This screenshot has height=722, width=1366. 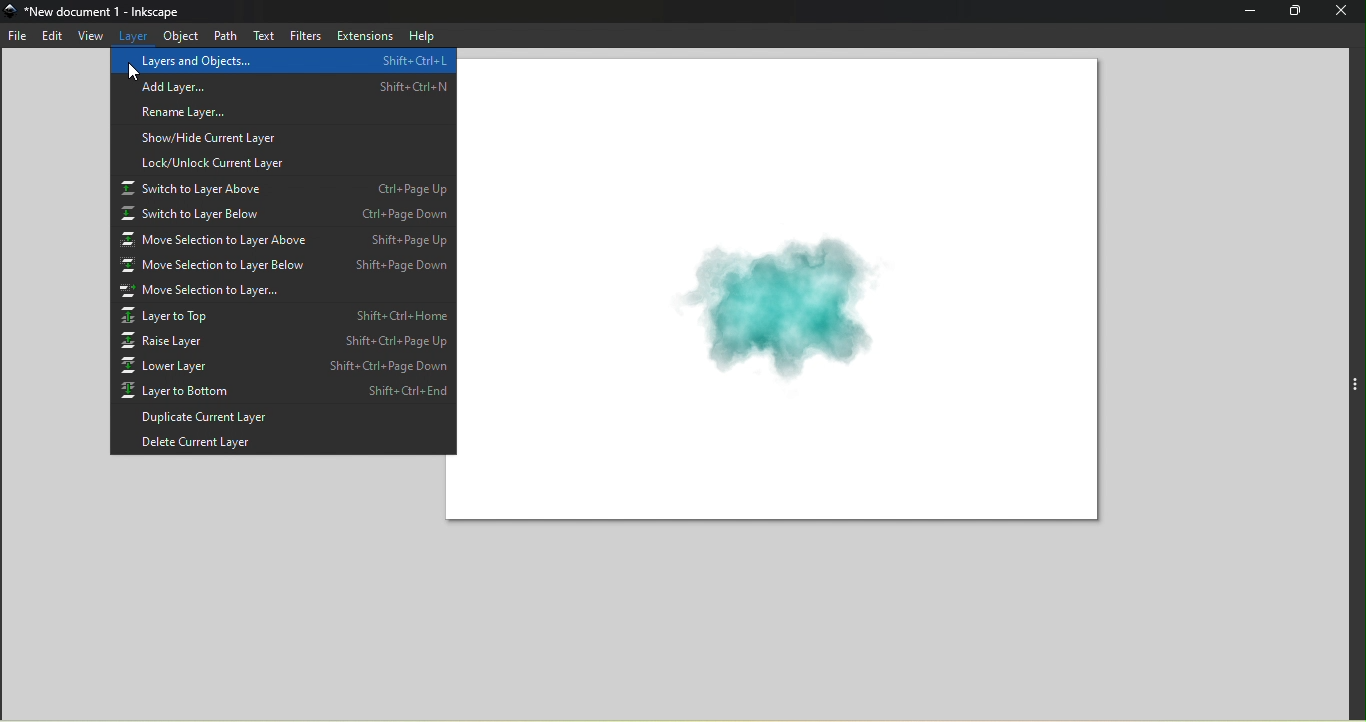 What do you see at coordinates (134, 73) in the screenshot?
I see `cursor` at bounding box center [134, 73].